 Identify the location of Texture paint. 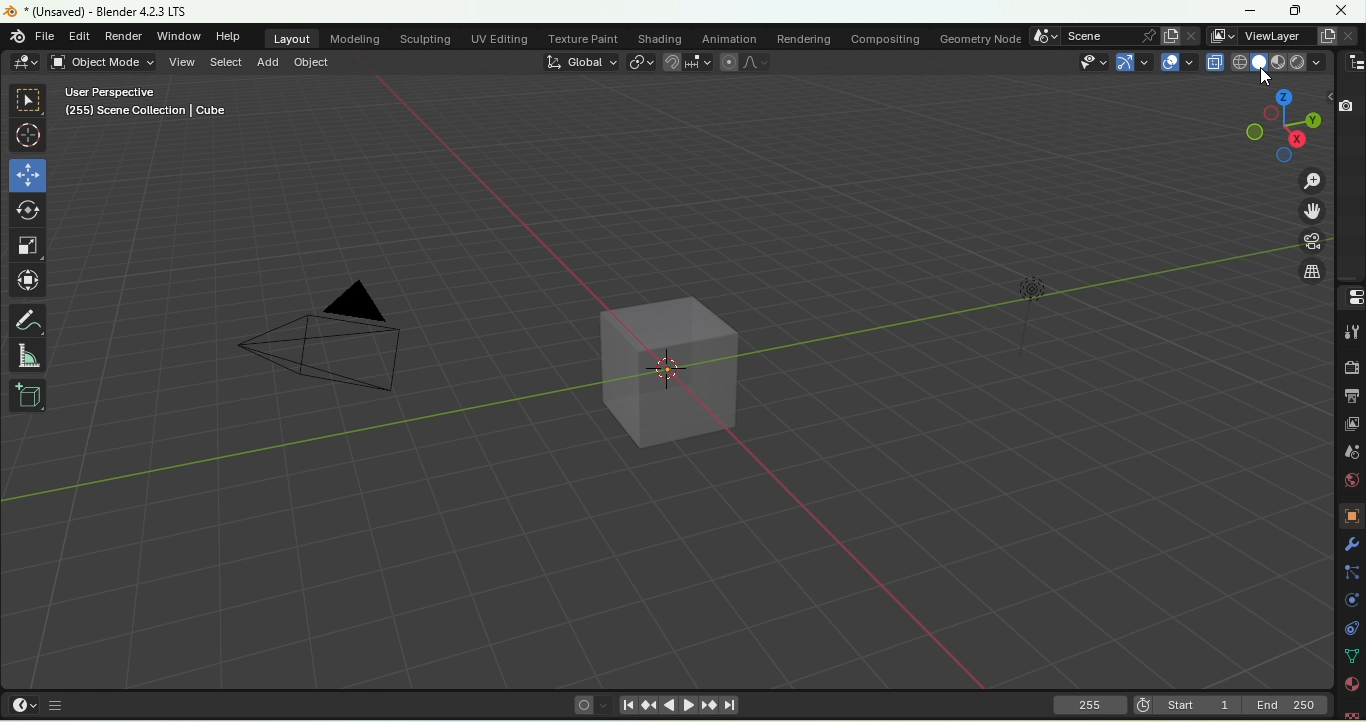
(583, 36).